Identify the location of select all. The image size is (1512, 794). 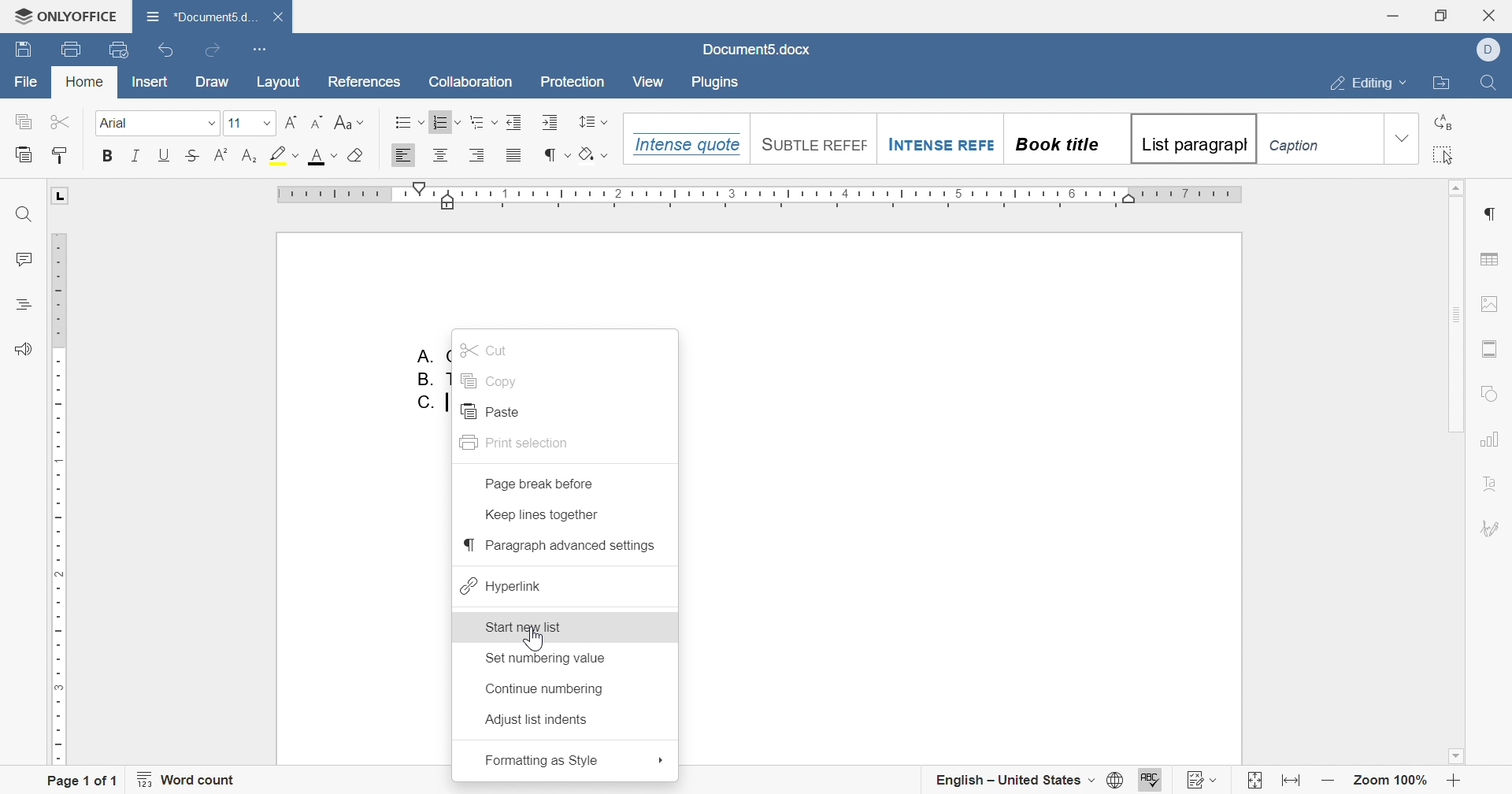
(1444, 154).